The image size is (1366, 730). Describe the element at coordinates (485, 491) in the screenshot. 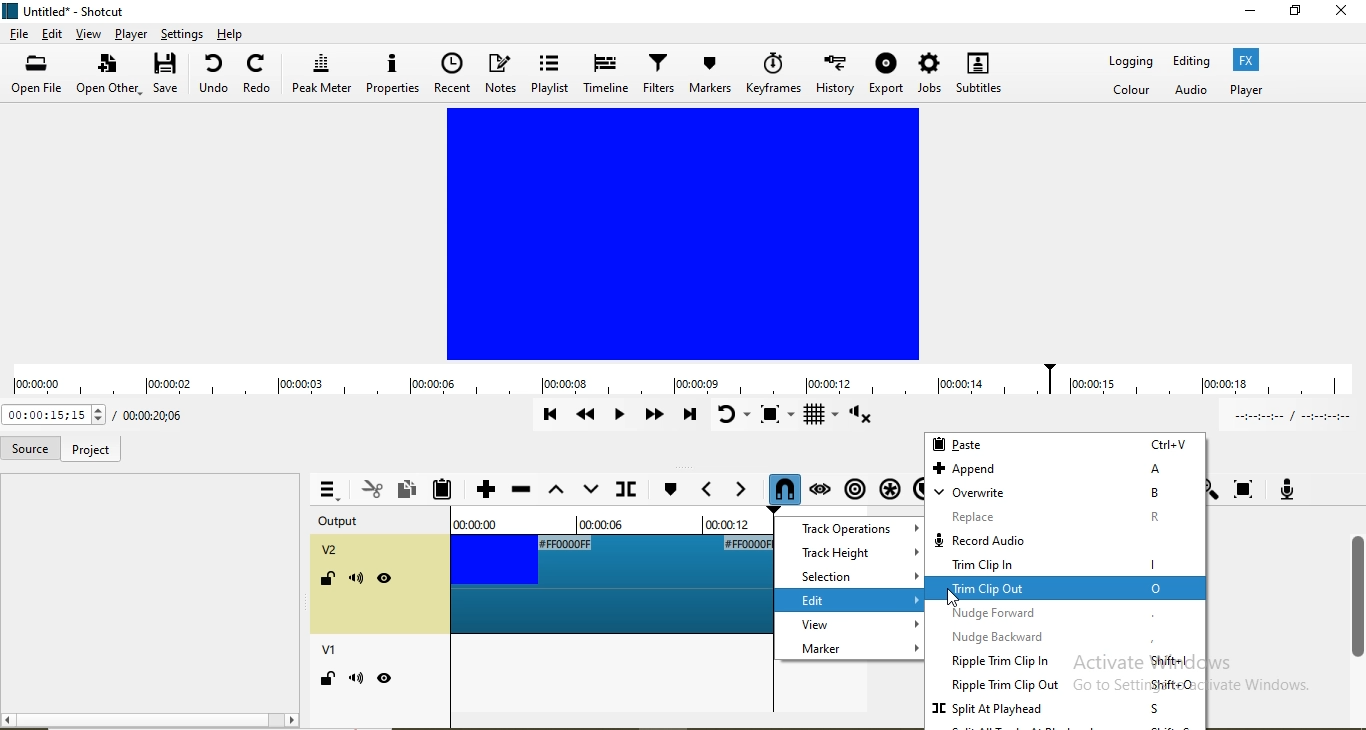

I see `Append` at that location.